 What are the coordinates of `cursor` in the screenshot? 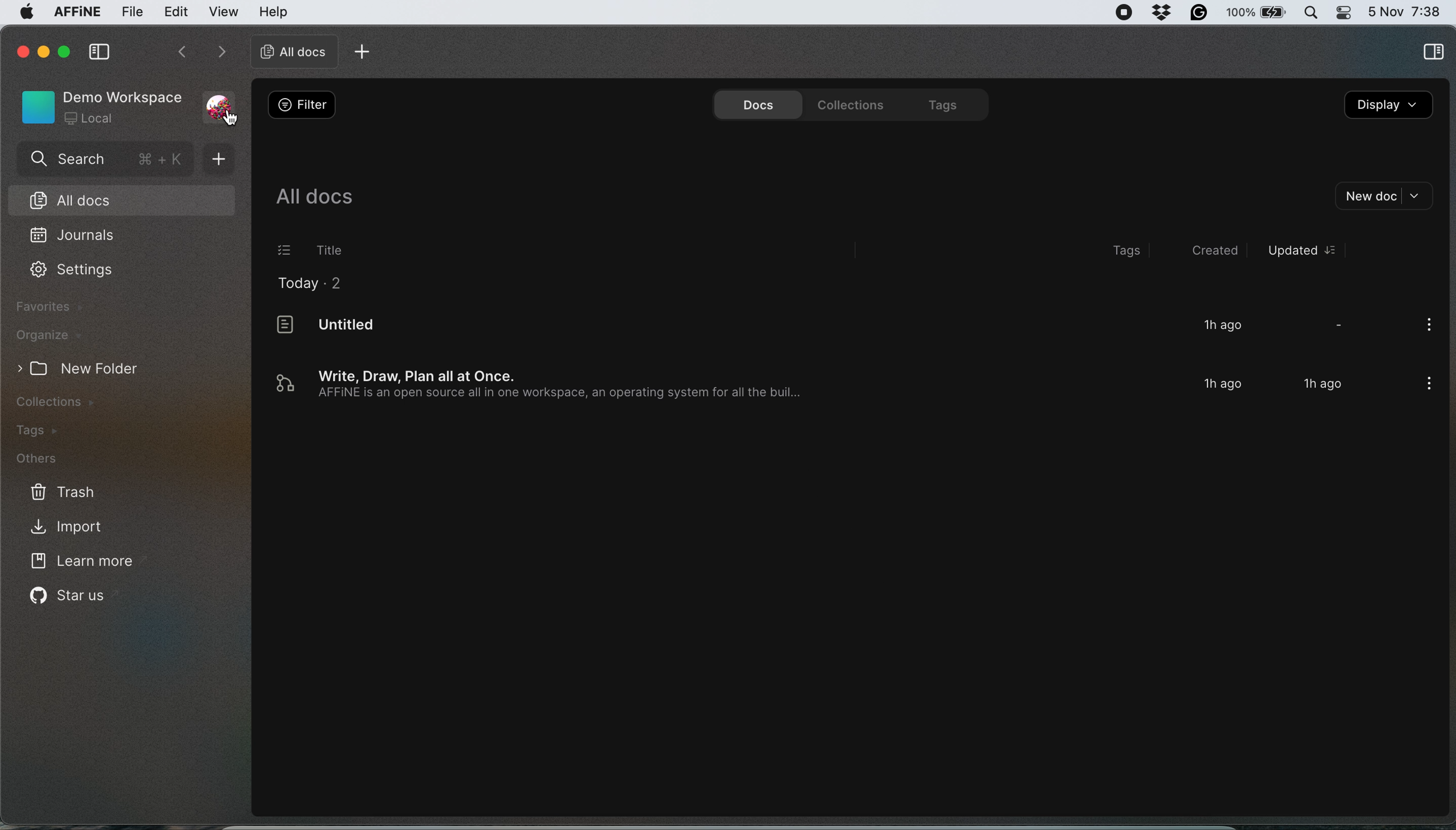 It's located at (231, 119).